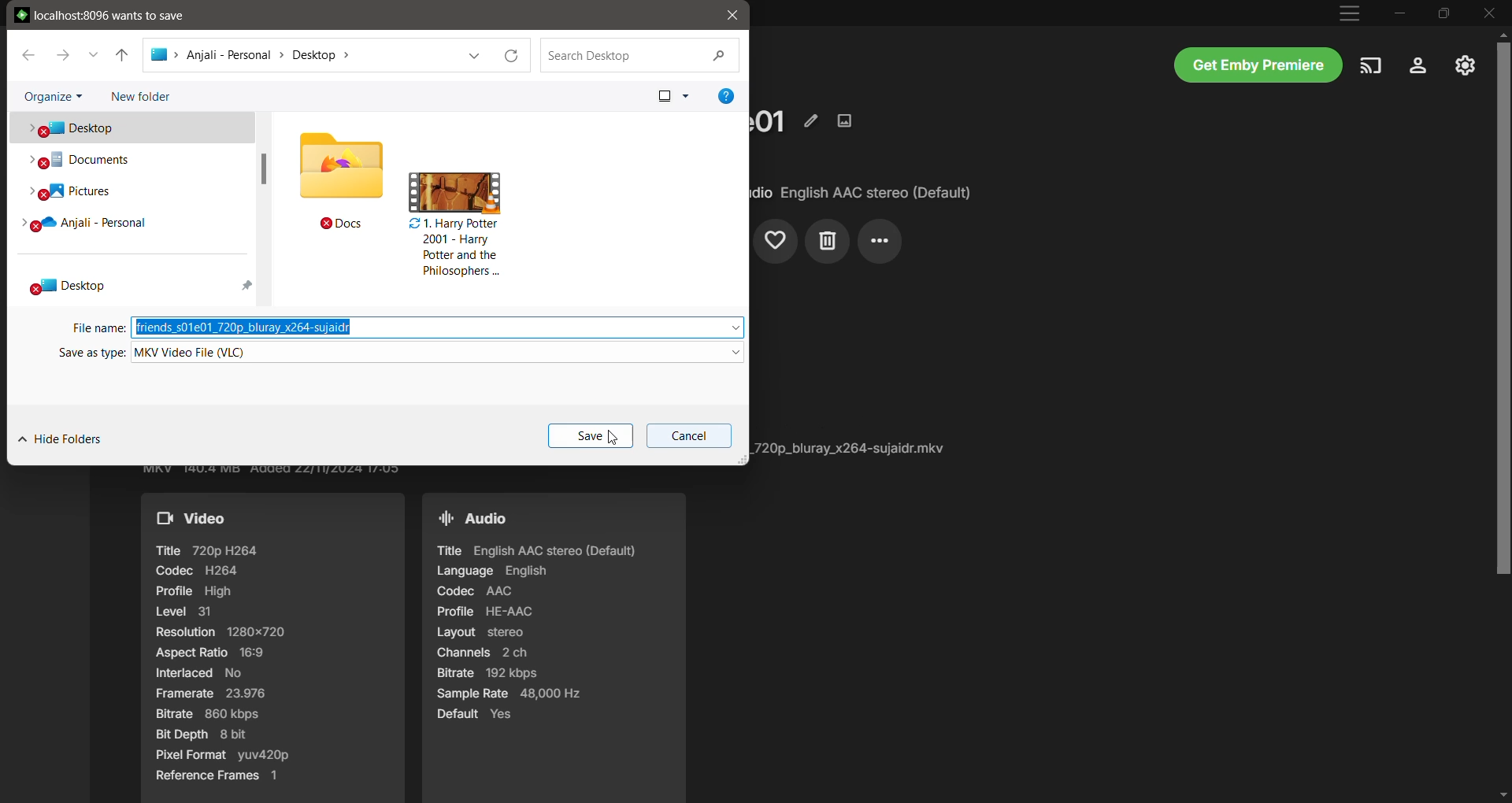 This screenshot has width=1512, height=803. I want to click on Refresh Current Location, so click(512, 56).